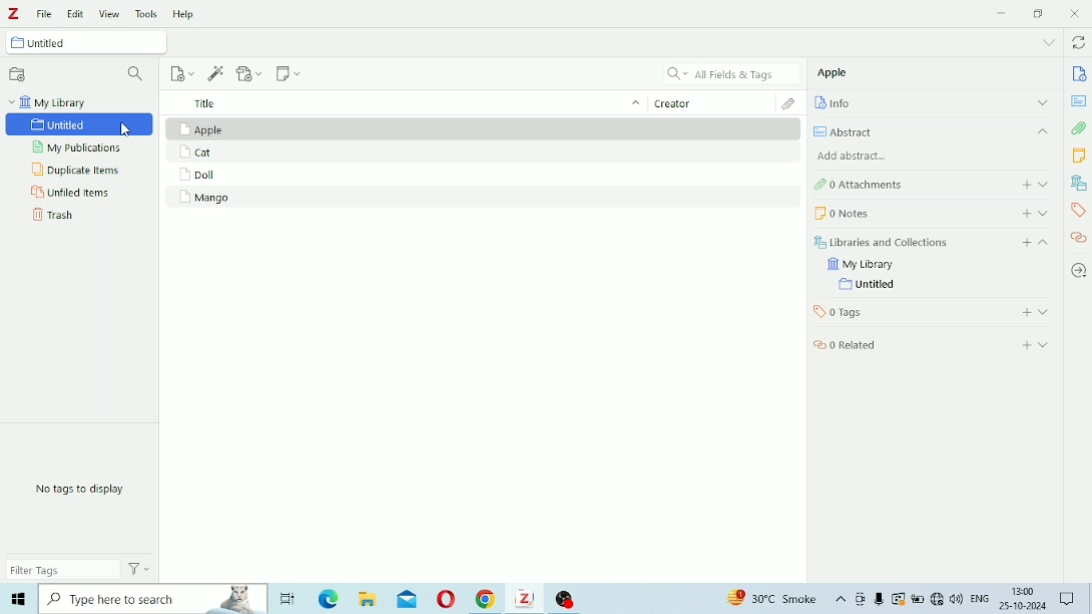 The image size is (1092, 614). Describe the element at coordinates (1077, 182) in the screenshot. I see `Libraries and Collections` at that location.